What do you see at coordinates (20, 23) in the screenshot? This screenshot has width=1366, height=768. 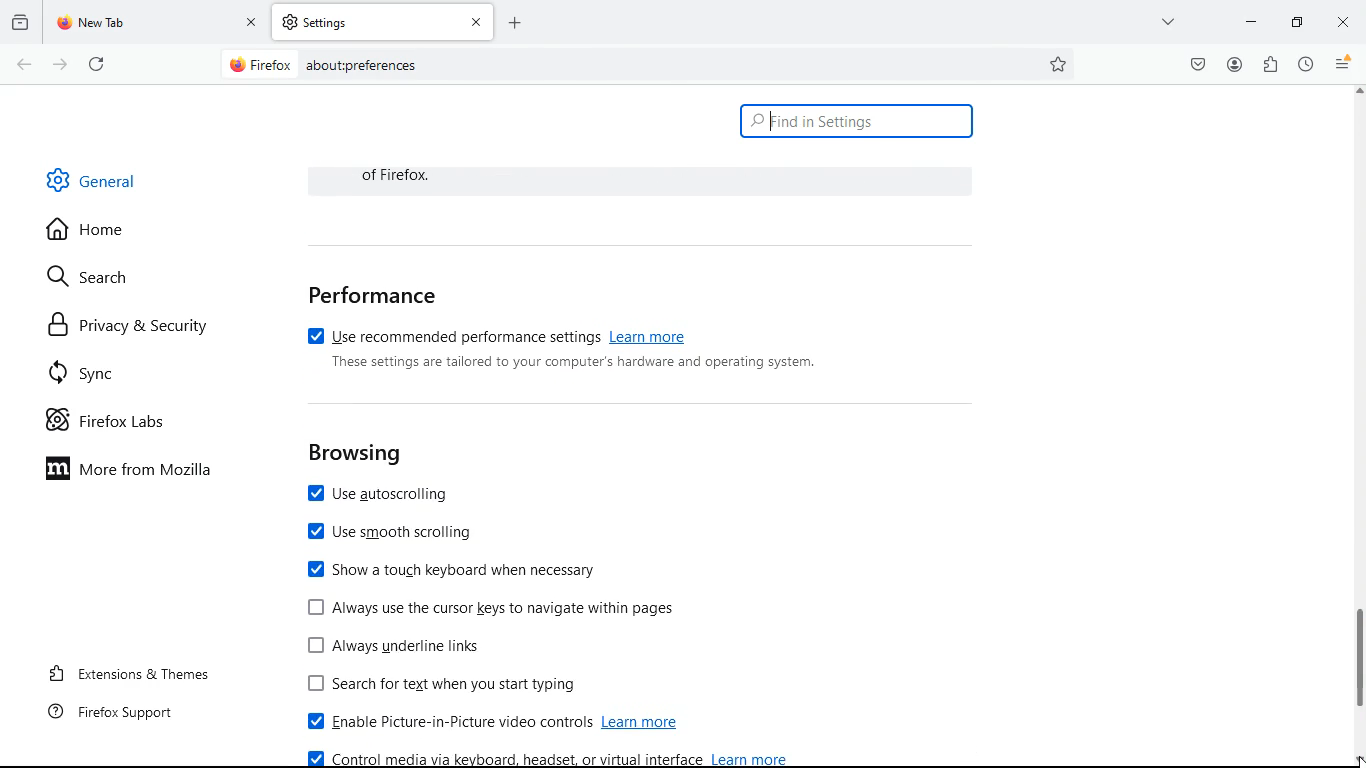 I see `history` at bounding box center [20, 23].